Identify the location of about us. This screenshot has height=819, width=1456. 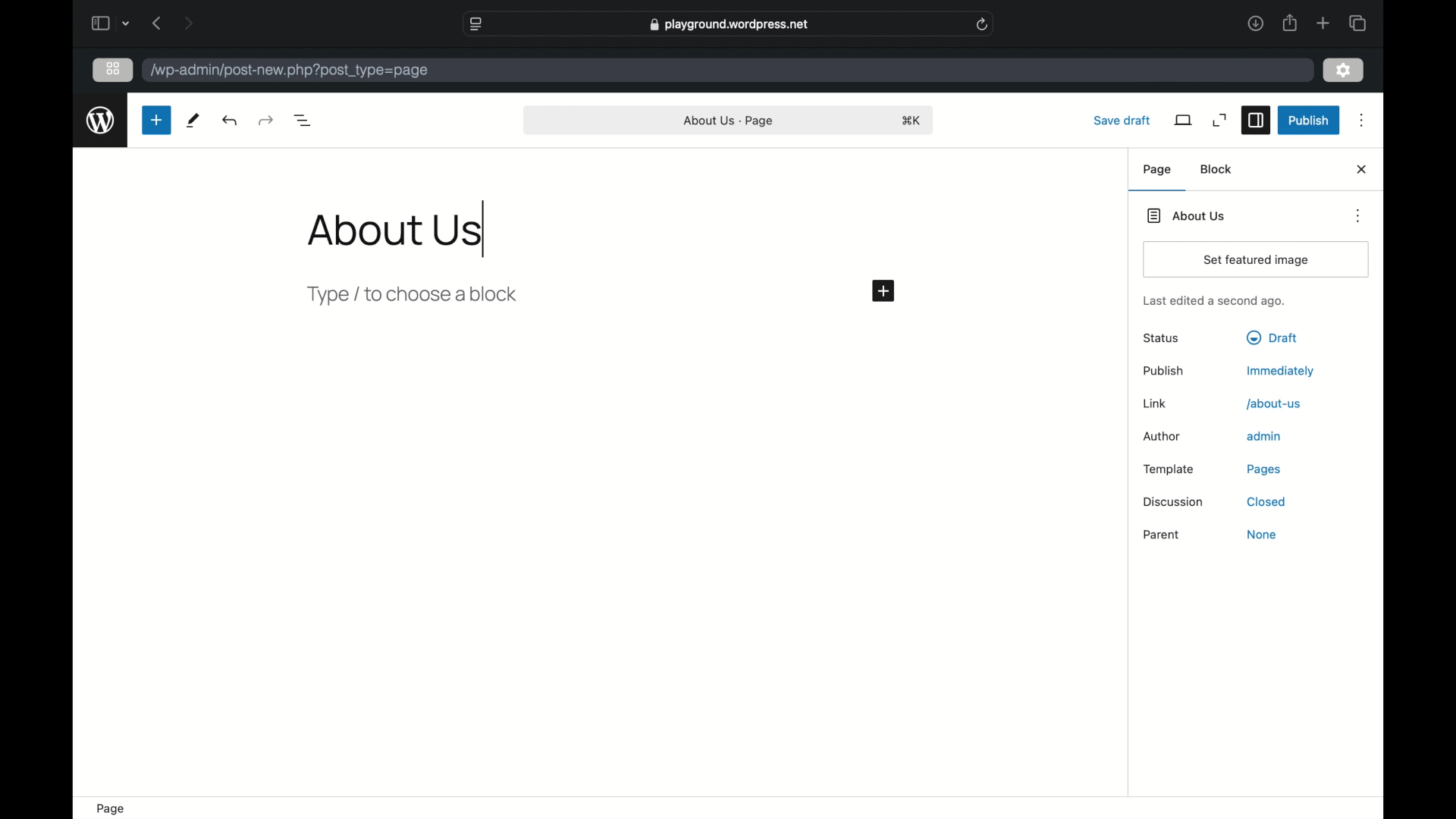
(1188, 215).